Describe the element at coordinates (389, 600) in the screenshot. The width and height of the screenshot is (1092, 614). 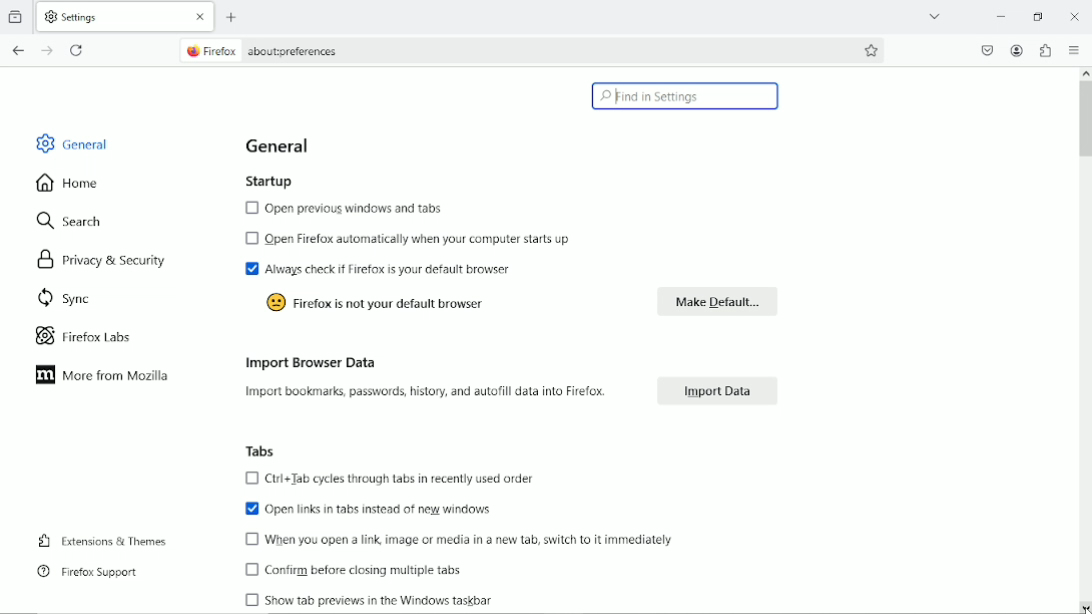
I see `Show tabs preview in the window taskbar` at that location.